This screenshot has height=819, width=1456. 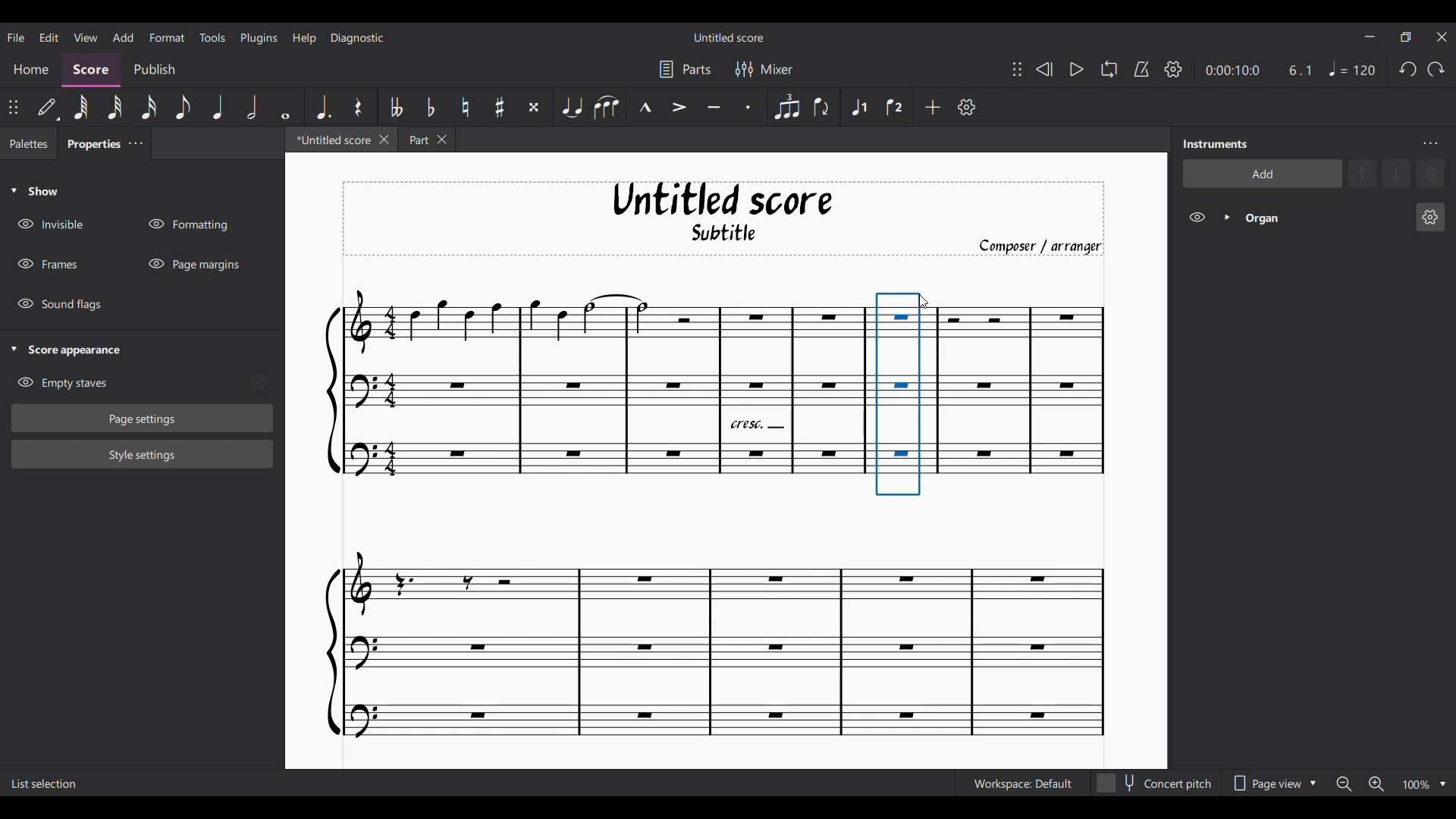 I want to click on Rewind, so click(x=1044, y=69).